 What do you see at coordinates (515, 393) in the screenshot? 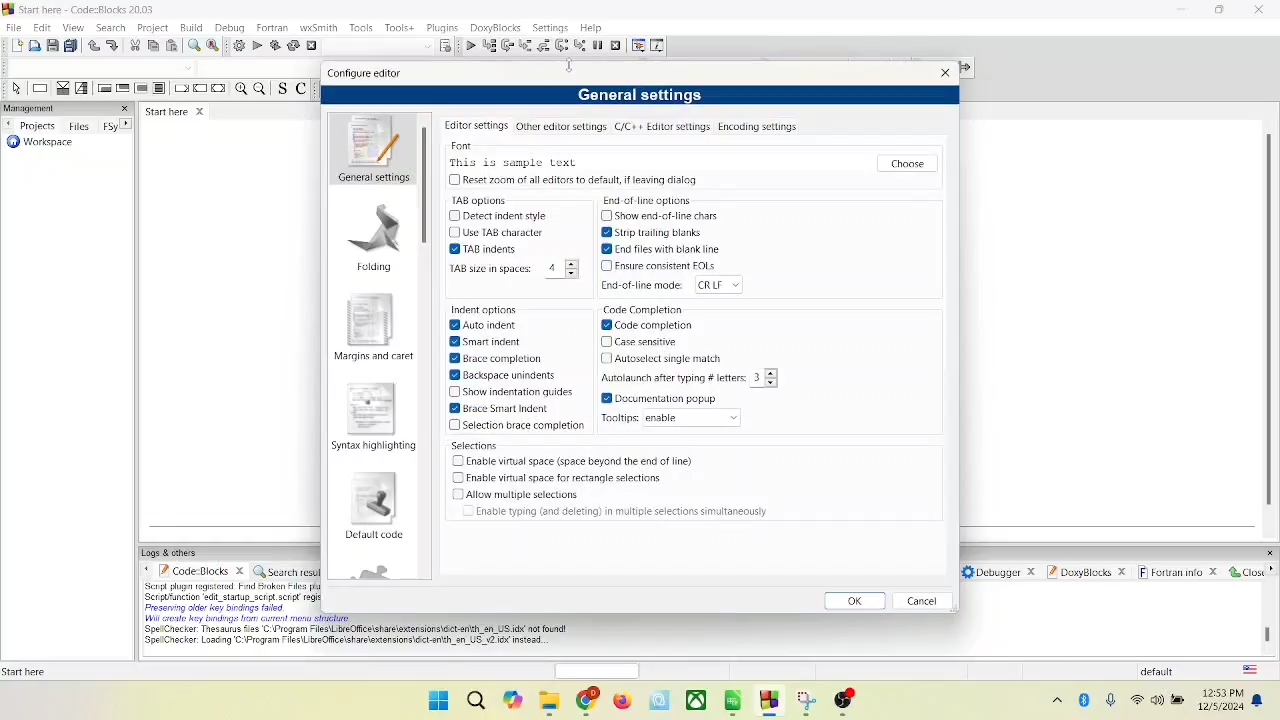
I see `indentation guides` at bounding box center [515, 393].